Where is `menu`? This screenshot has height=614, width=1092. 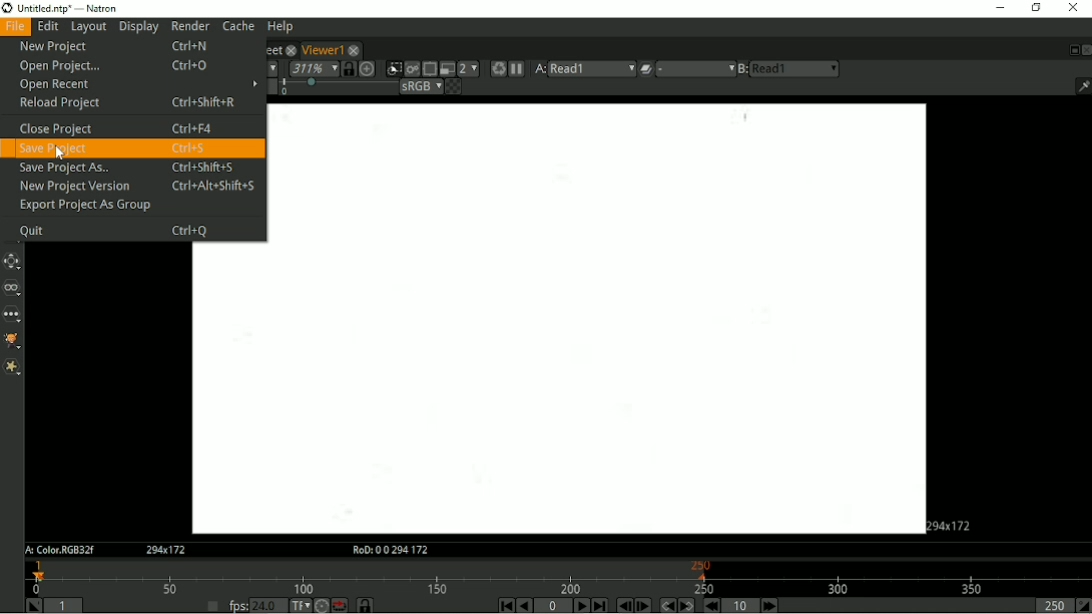
menu is located at coordinates (695, 69).